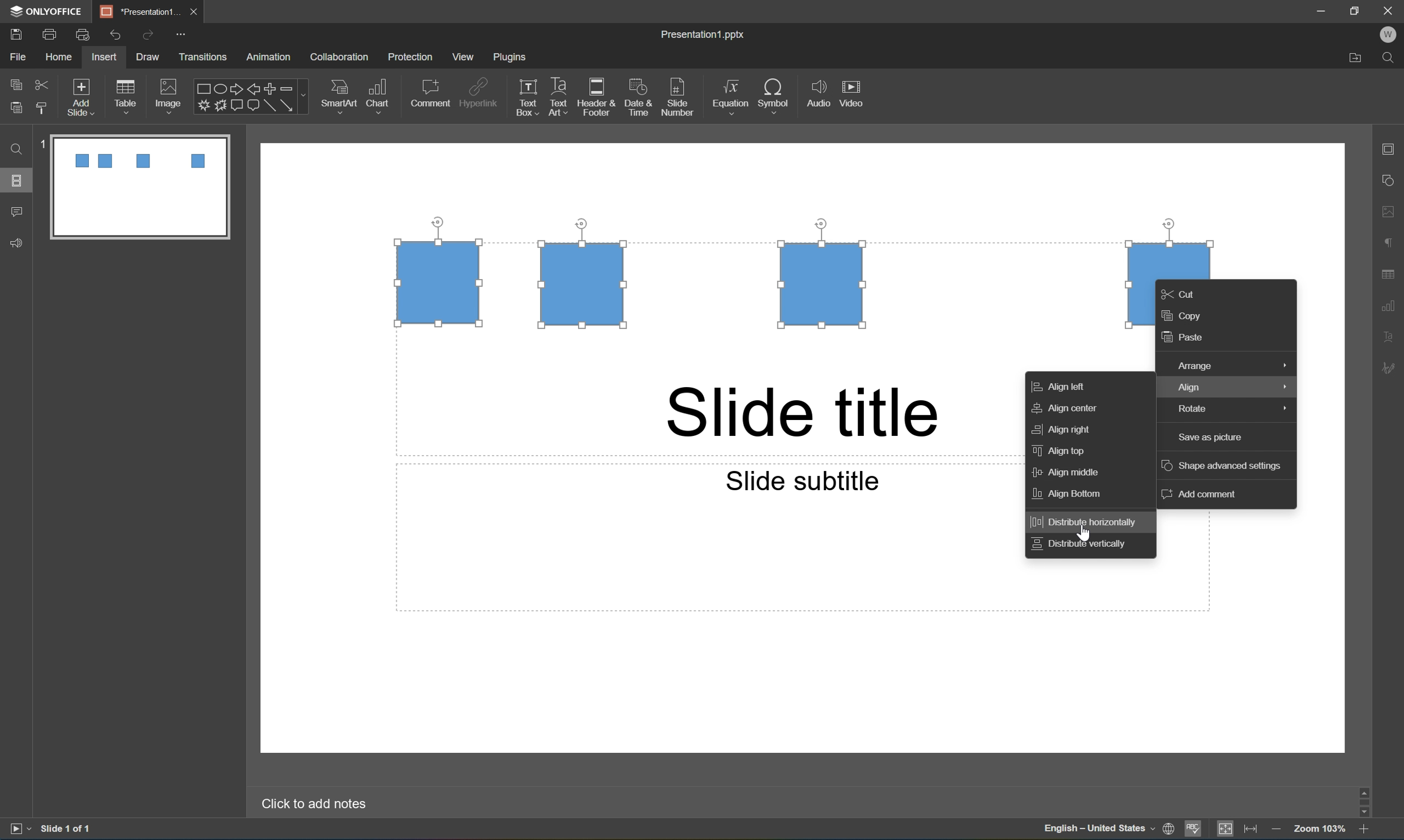 The image size is (1404, 840). I want to click on align middle, so click(1072, 473).